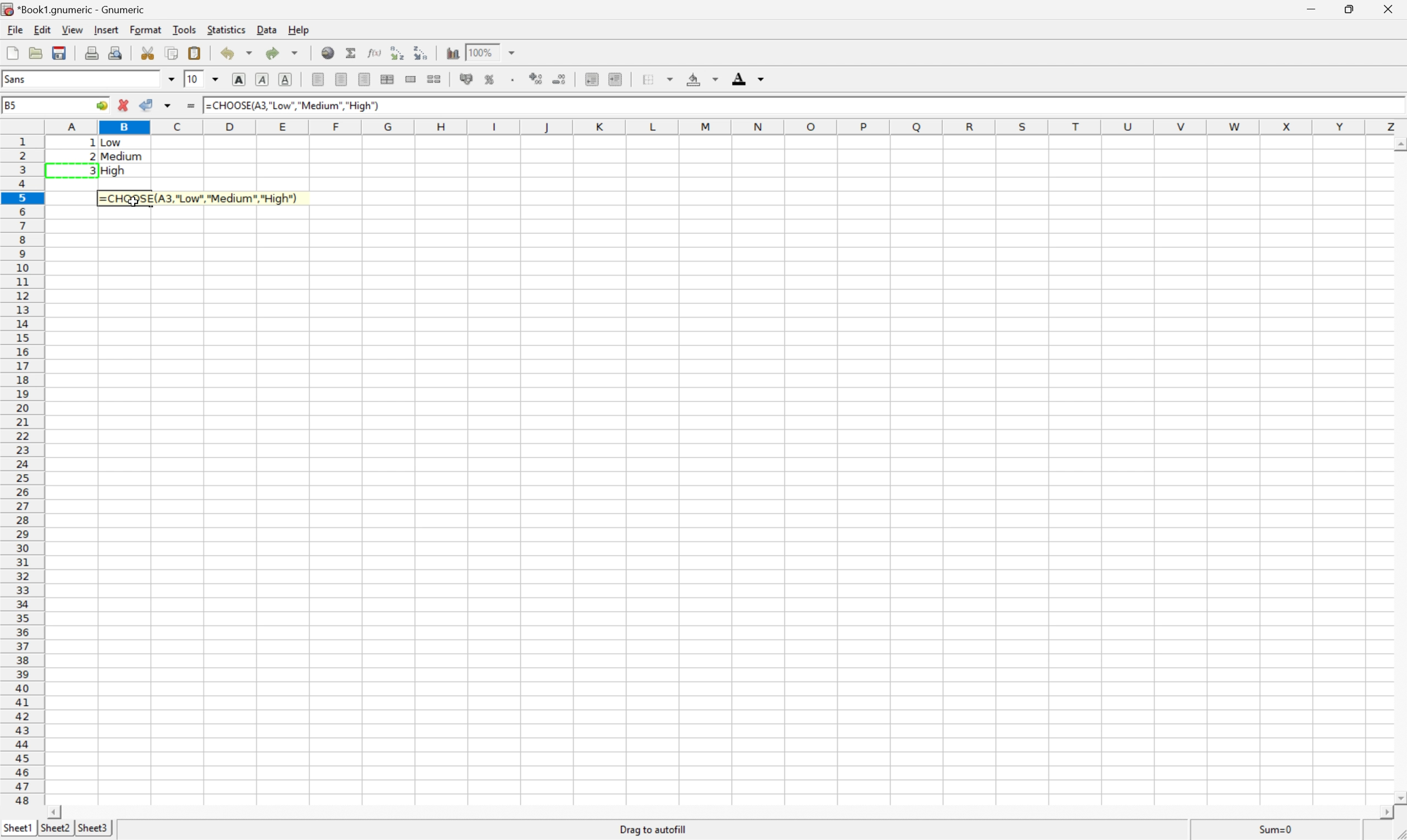 The width and height of the screenshot is (1407, 840). What do you see at coordinates (488, 80) in the screenshot?
I see `Format the selection as percentage` at bounding box center [488, 80].